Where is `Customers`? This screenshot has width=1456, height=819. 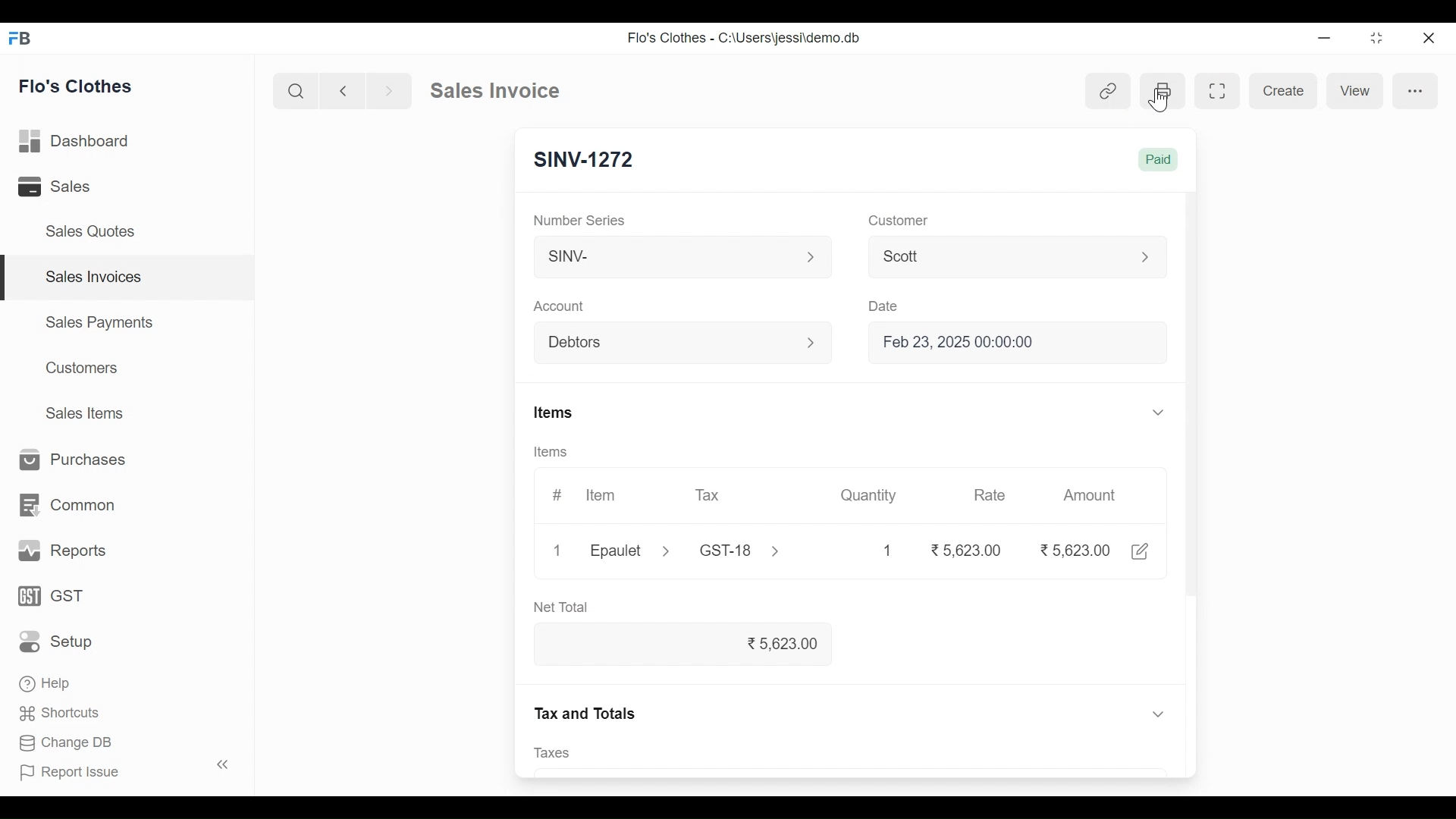
Customers is located at coordinates (82, 369).